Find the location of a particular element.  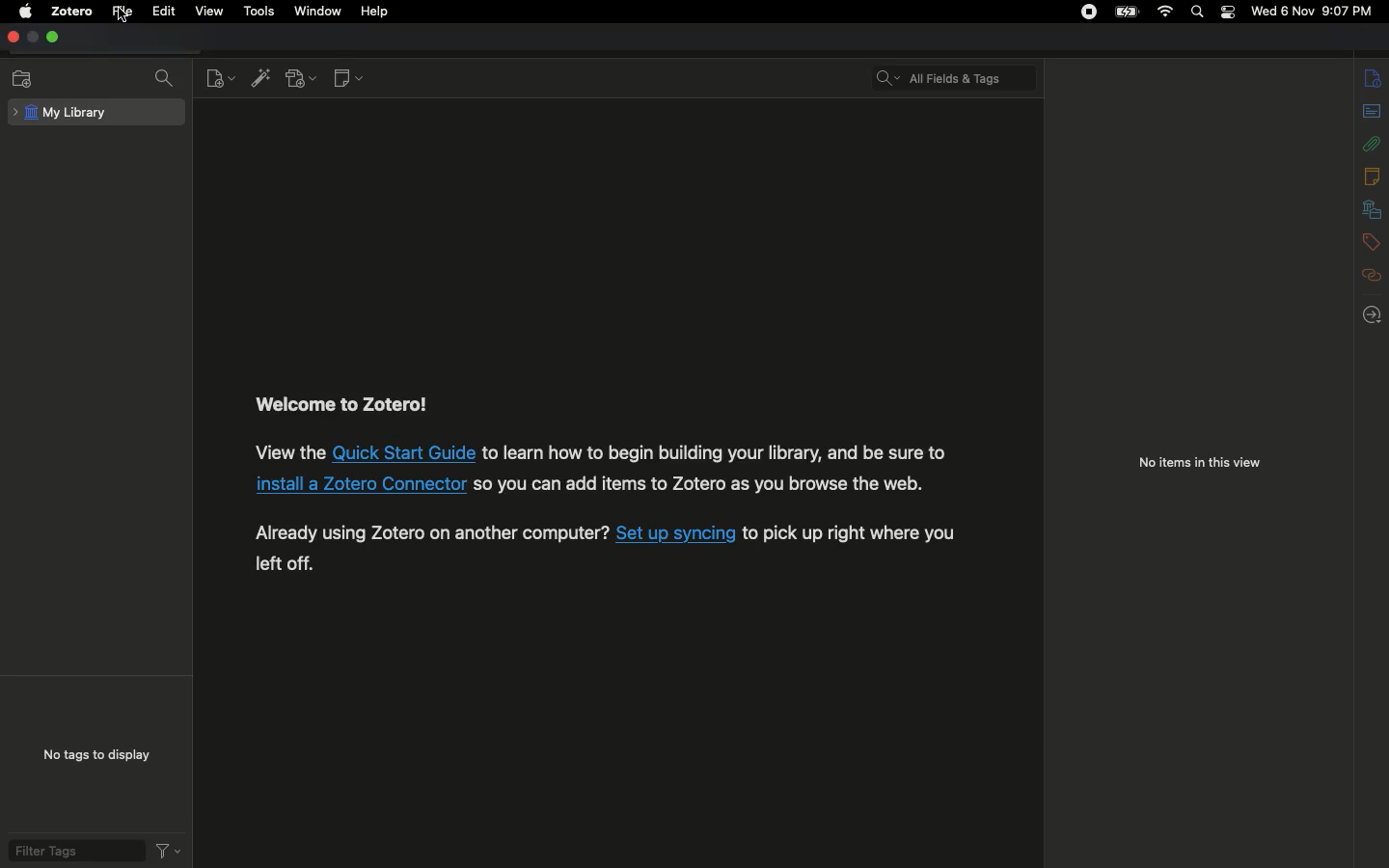

Charge is located at coordinates (1123, 12).